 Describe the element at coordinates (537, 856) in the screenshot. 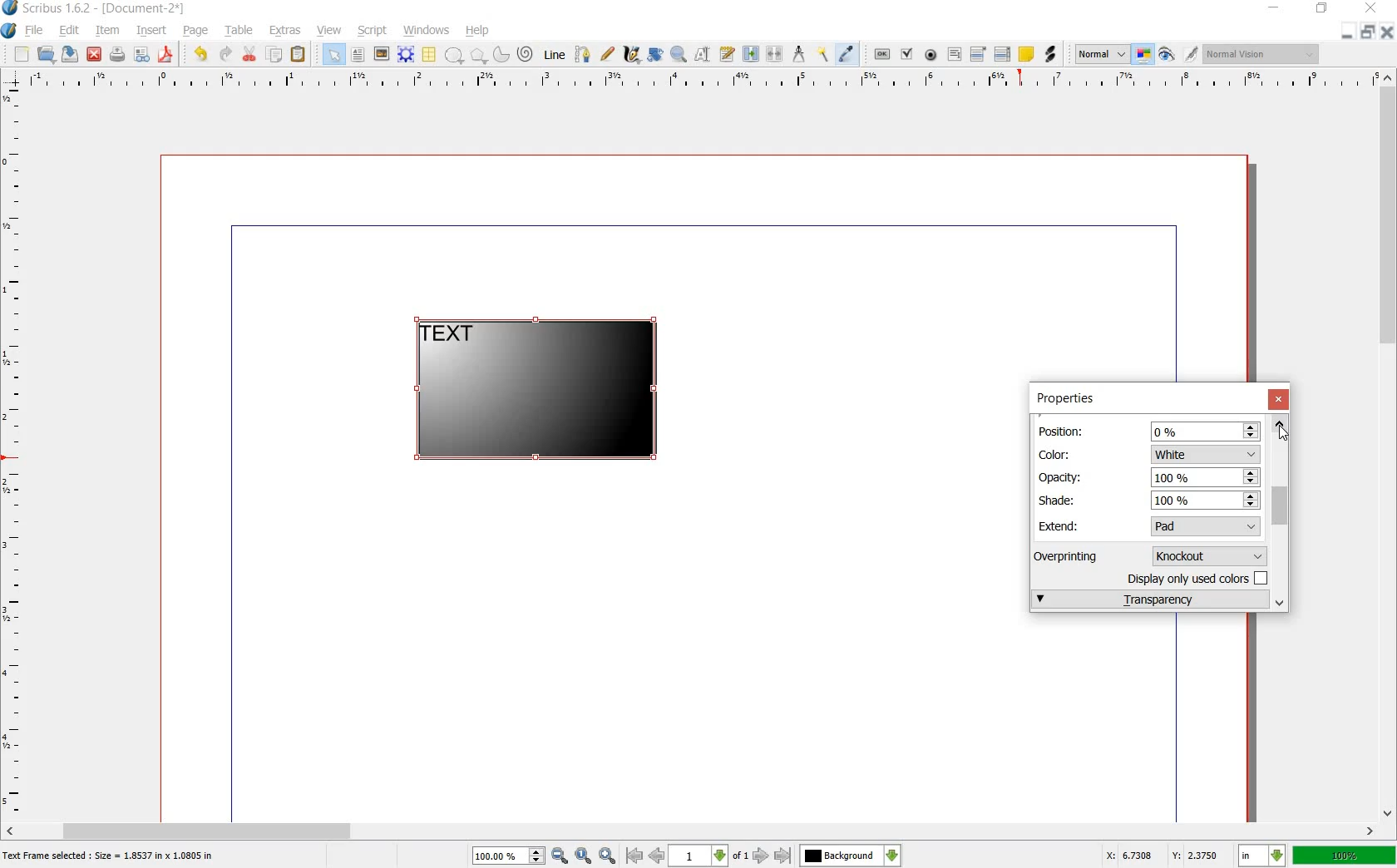

I see `Increase or decrease zoom value` at that location.